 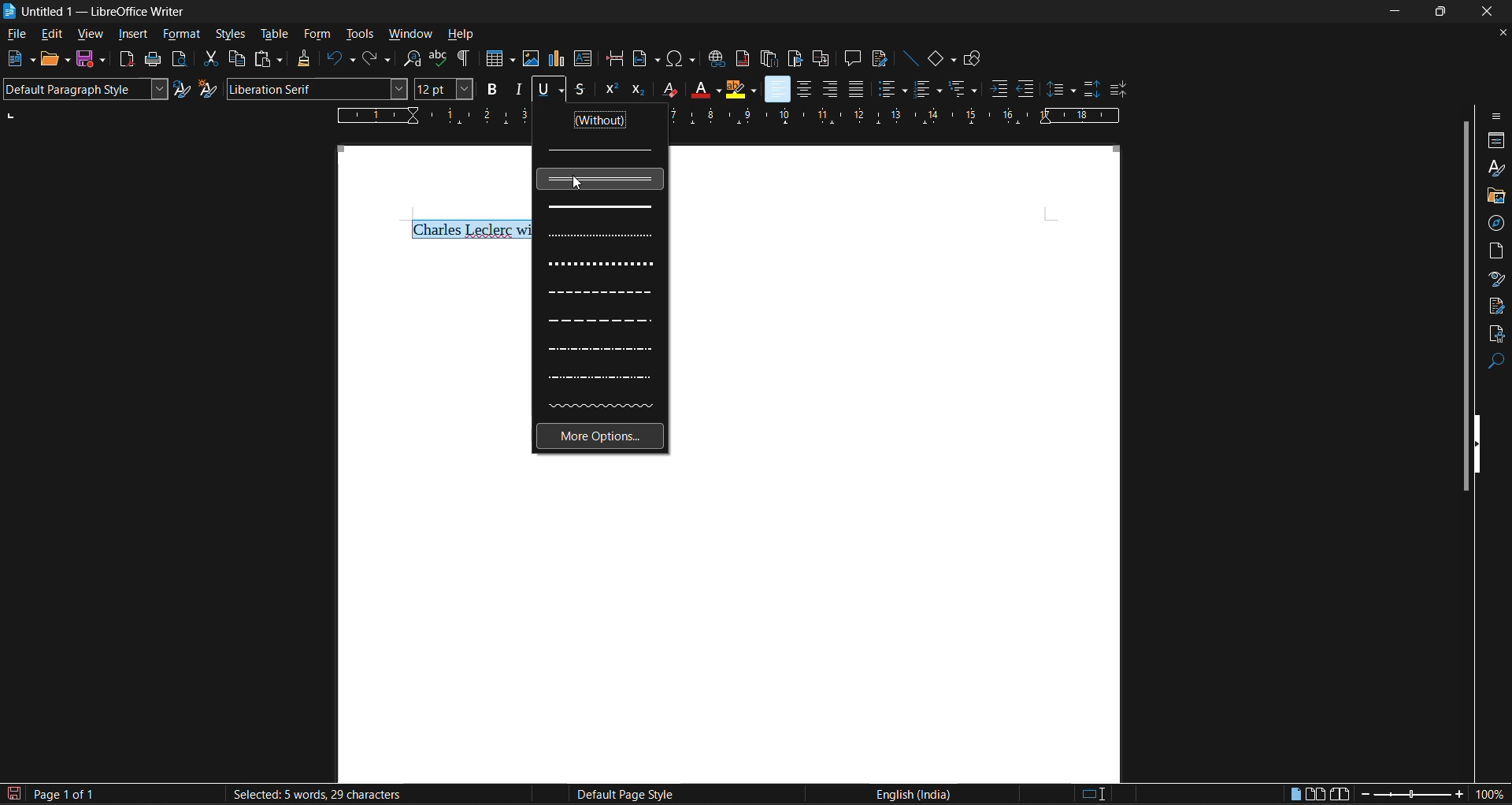 What do you see at coordinates (929, 88) in the screenshot?
I see `toggle ordered list` at bounding box center [929, 88].